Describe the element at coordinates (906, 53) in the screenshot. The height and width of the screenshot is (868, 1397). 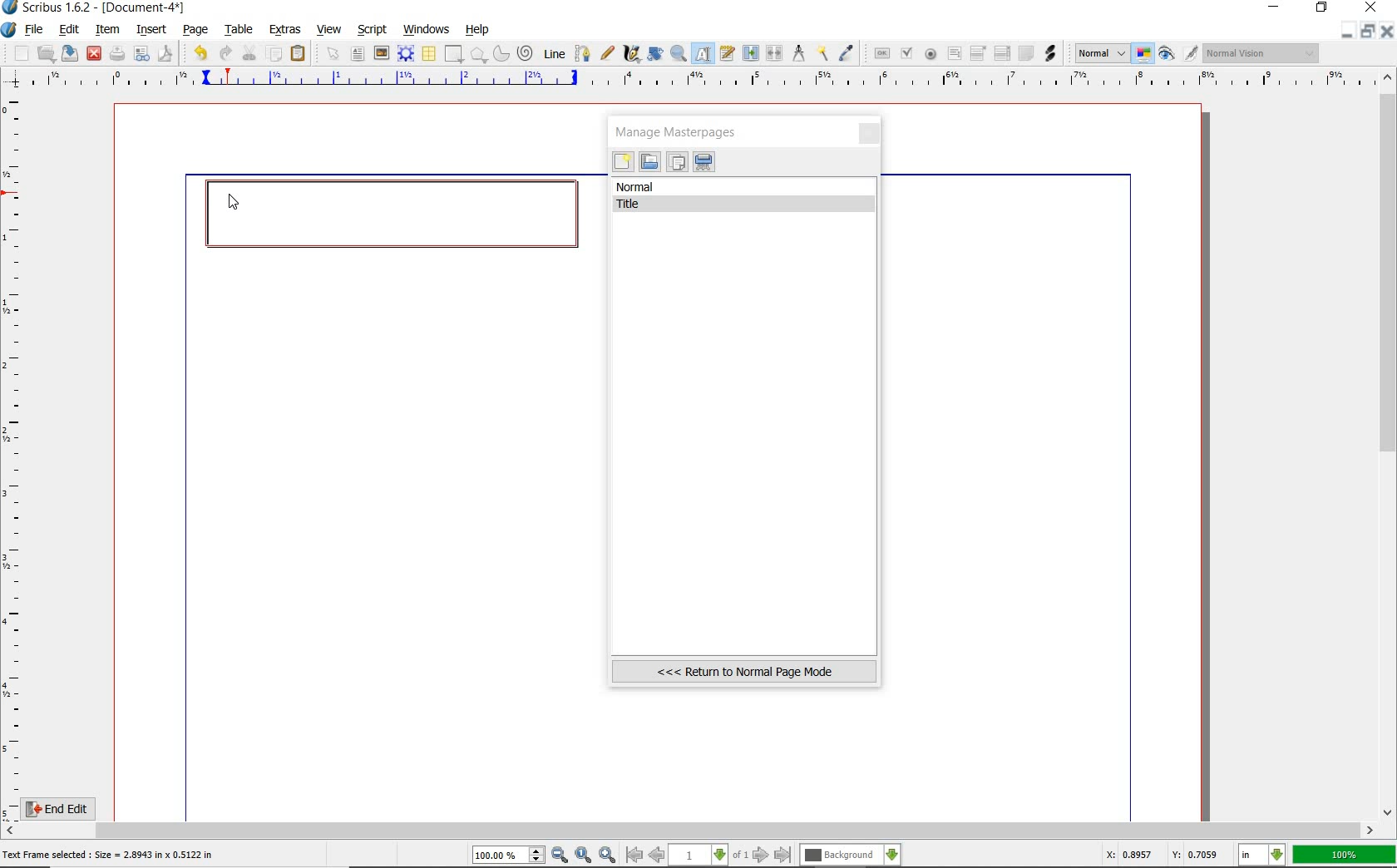
I see `pdf check box` at that location.